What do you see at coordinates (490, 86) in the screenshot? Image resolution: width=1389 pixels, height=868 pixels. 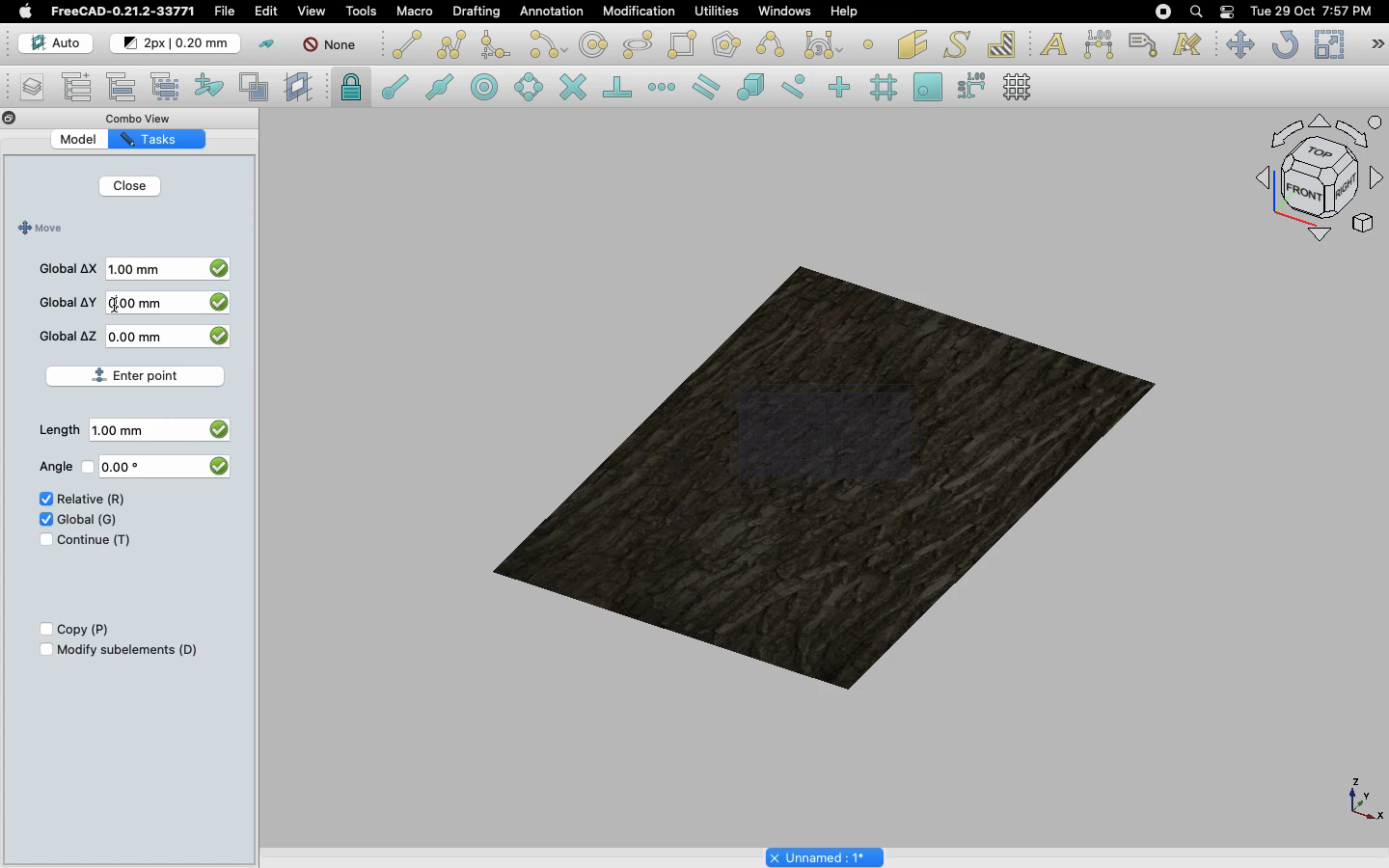 I see `Snap center` at bounding box center [490, 86].